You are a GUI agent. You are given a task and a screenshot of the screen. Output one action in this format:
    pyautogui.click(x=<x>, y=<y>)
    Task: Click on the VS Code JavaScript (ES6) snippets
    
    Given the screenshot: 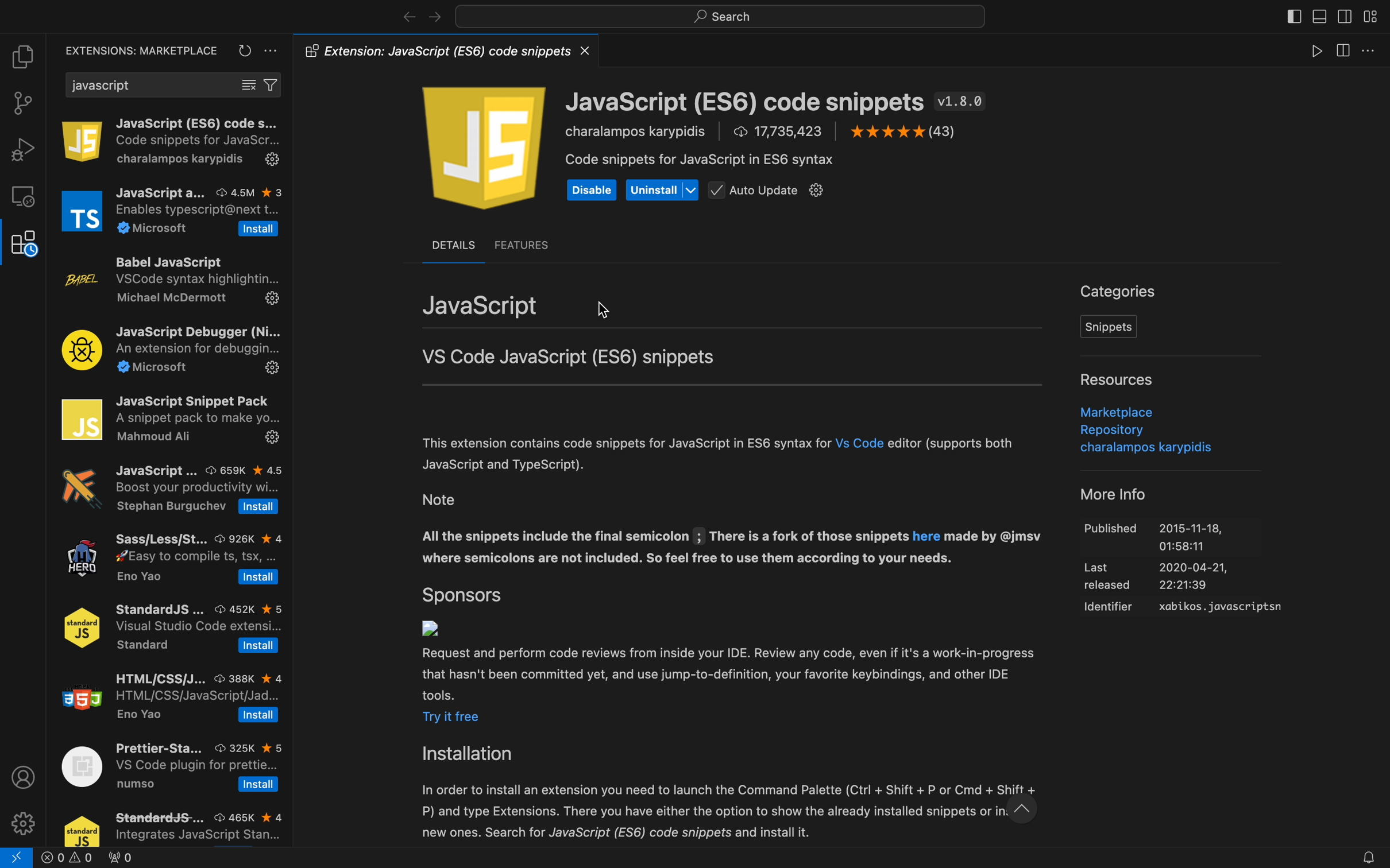 What is the action you would take?
    pyautogui.click(x=567, y=356)
    